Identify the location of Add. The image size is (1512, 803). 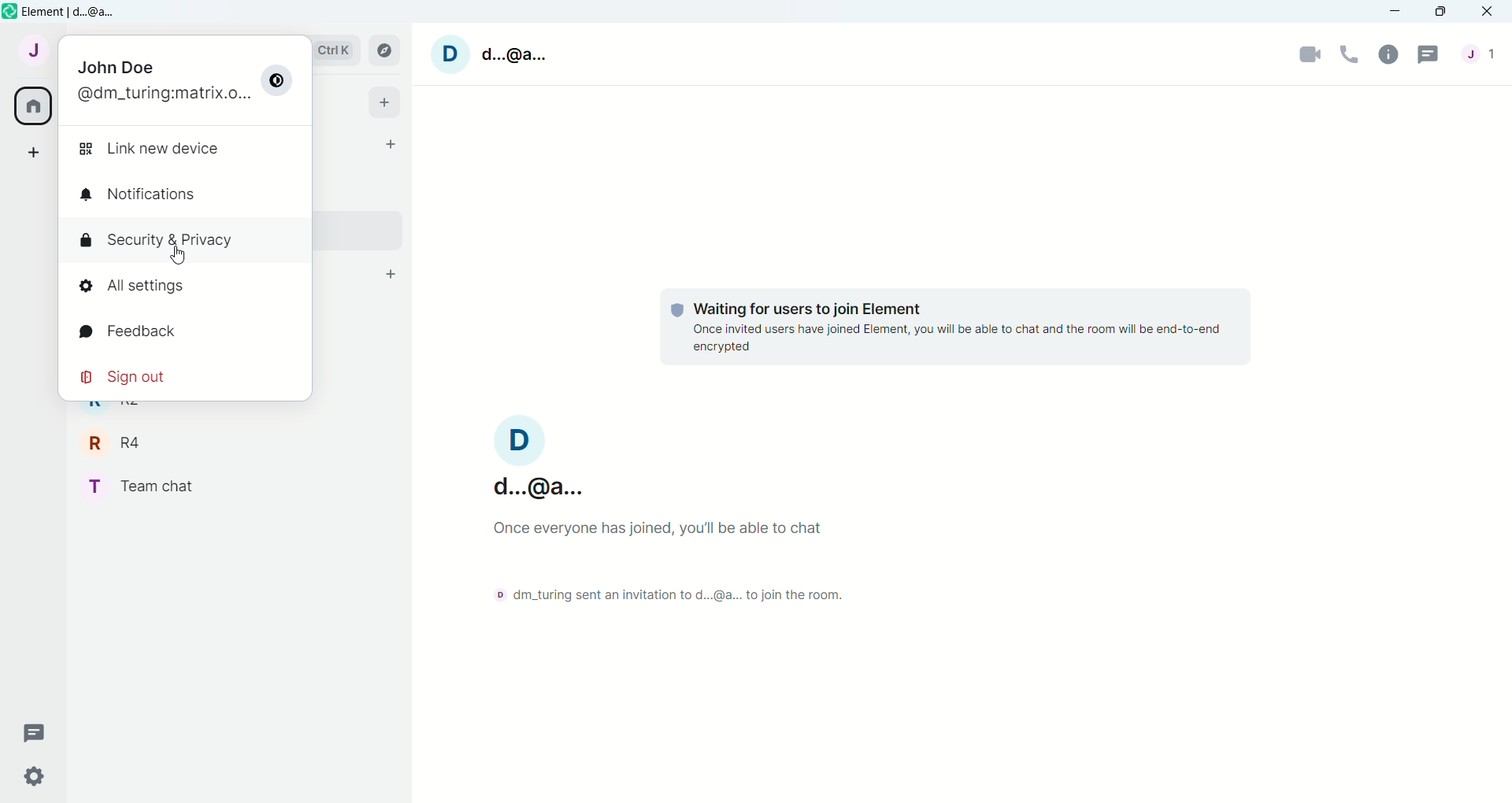
(387, 103).